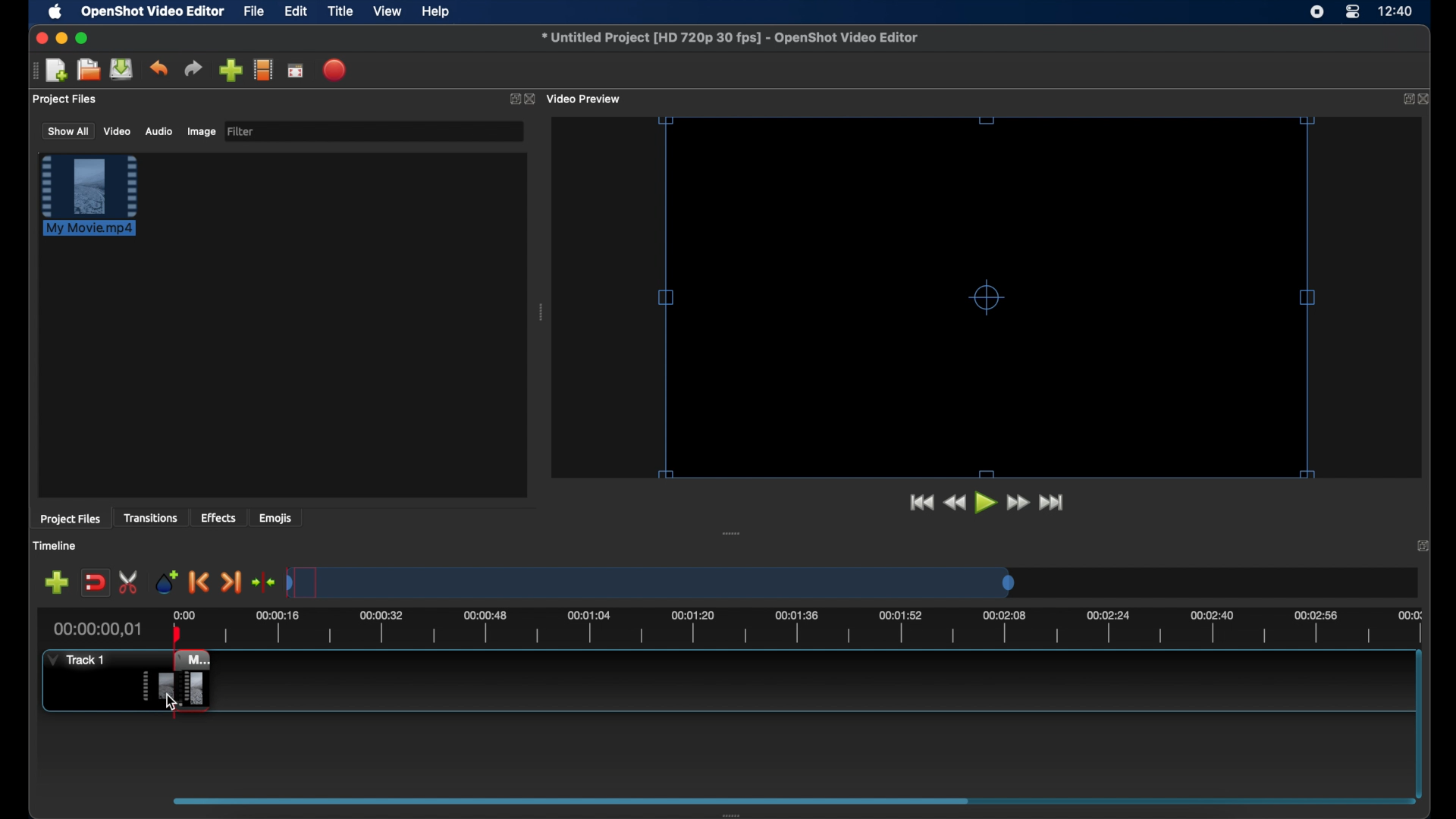  What do you see at coordinates (33, 71) in the screenshot?
I see `drag handle` at bounding box center [33, 71].